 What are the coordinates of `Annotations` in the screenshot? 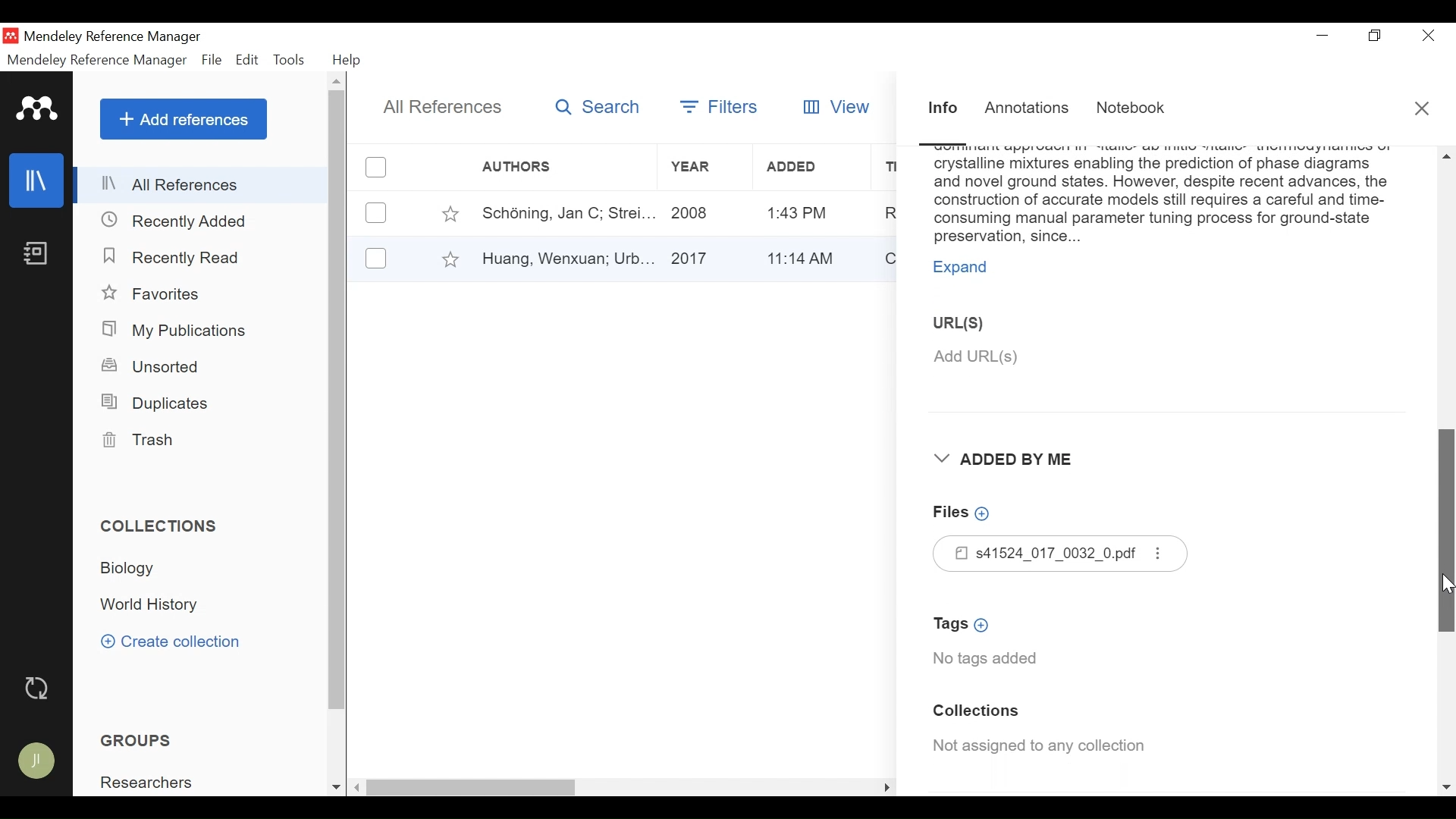 It's located at (1028, 110).